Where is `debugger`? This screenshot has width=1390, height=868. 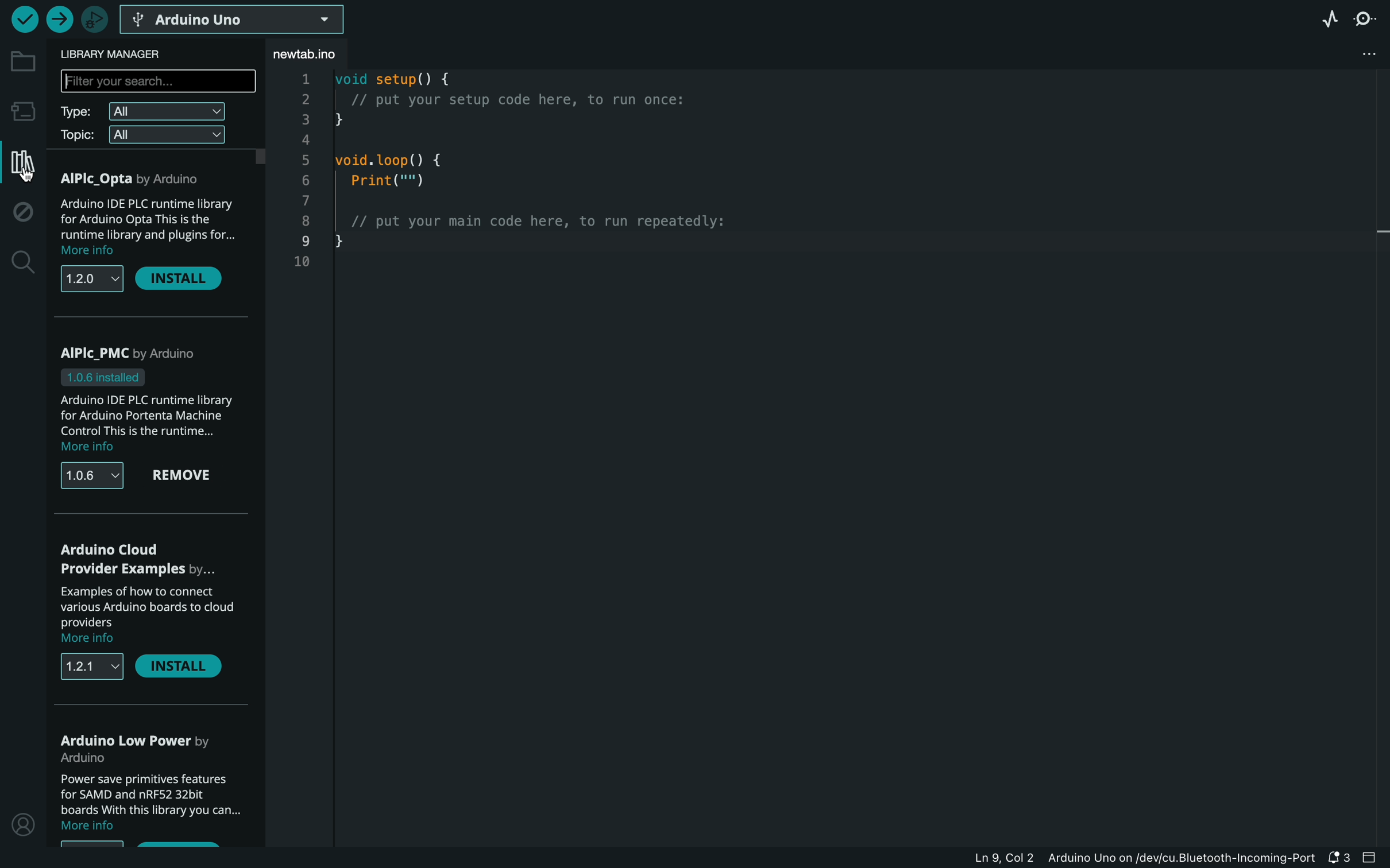
debugger is located at coordinates (96, 17).